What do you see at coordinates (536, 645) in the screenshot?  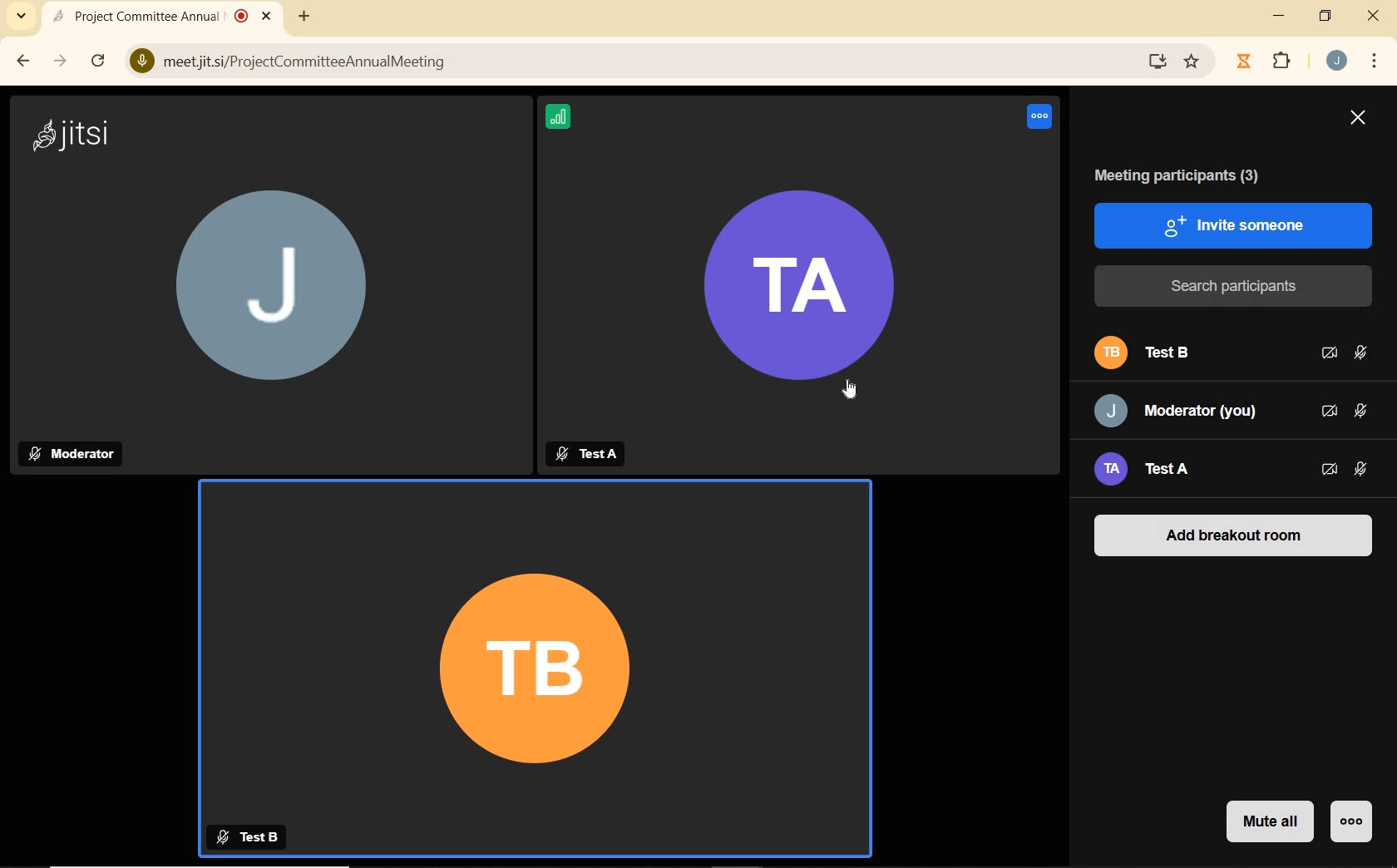 I see `TB` at bounding box center [536, 645].